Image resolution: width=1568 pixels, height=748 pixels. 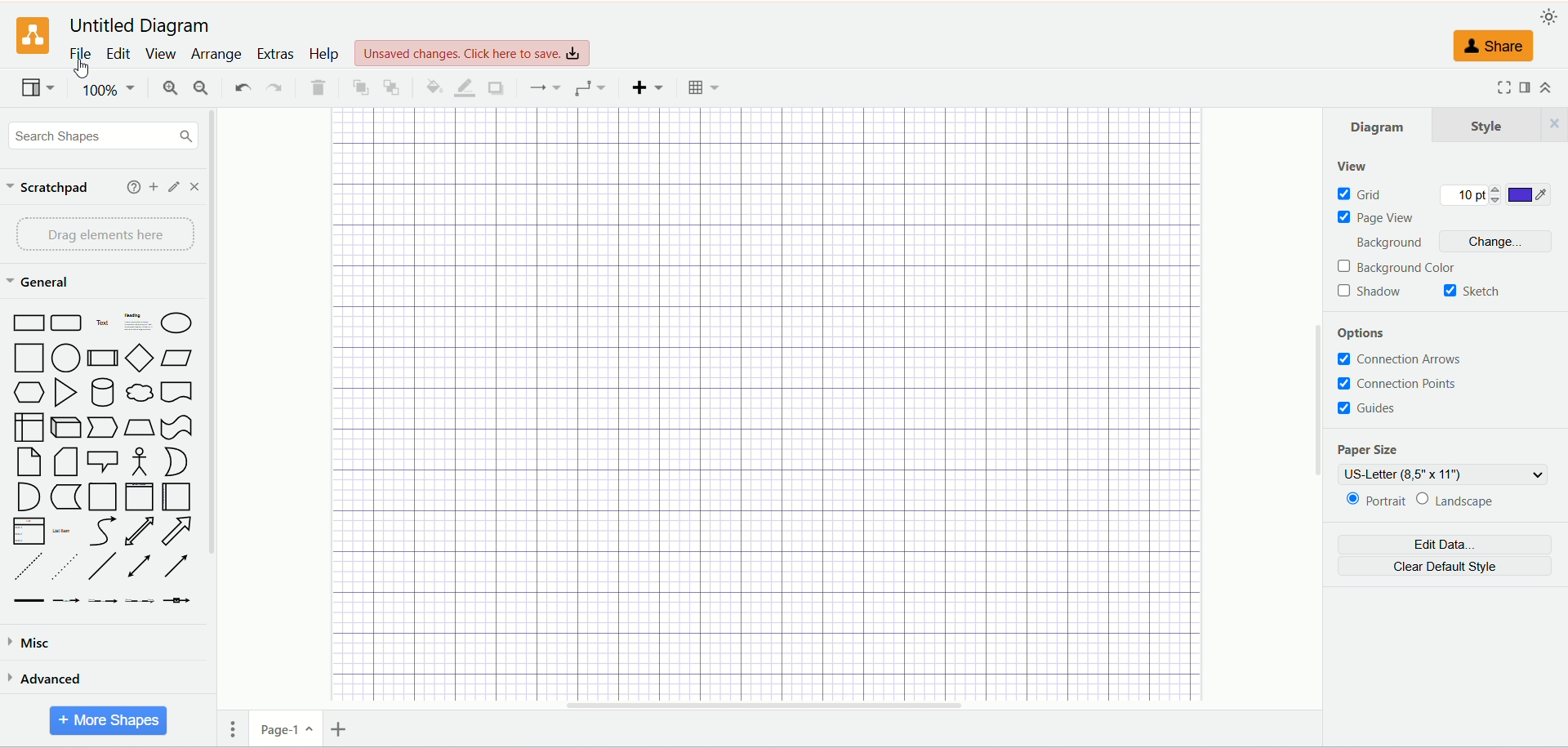 What do you see at coordinates (101, 639) in the screenshot?
I see `misc` at bounding box center [101, 639].